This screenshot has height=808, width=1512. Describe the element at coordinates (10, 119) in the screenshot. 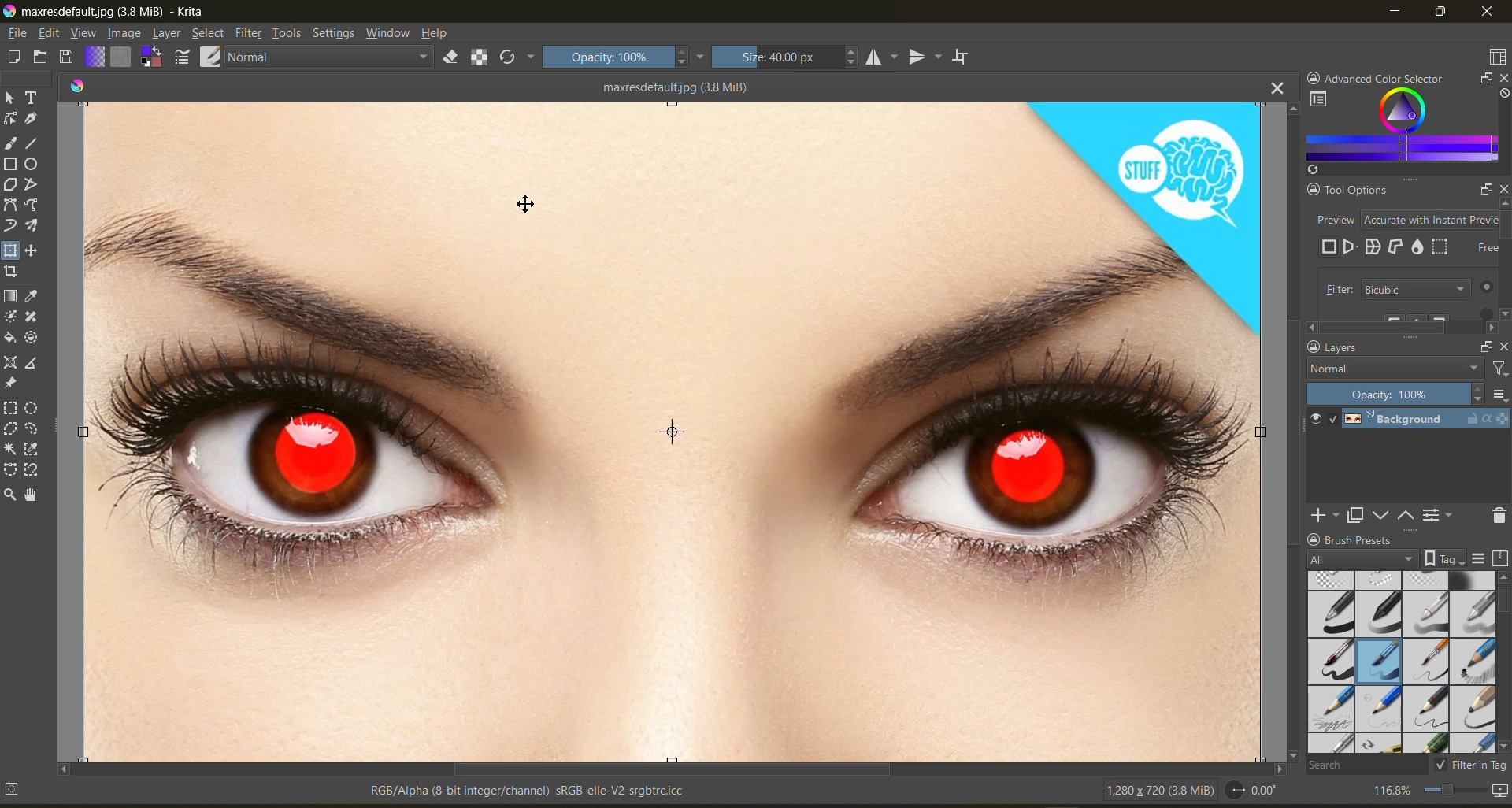

I see `tool` at that location.